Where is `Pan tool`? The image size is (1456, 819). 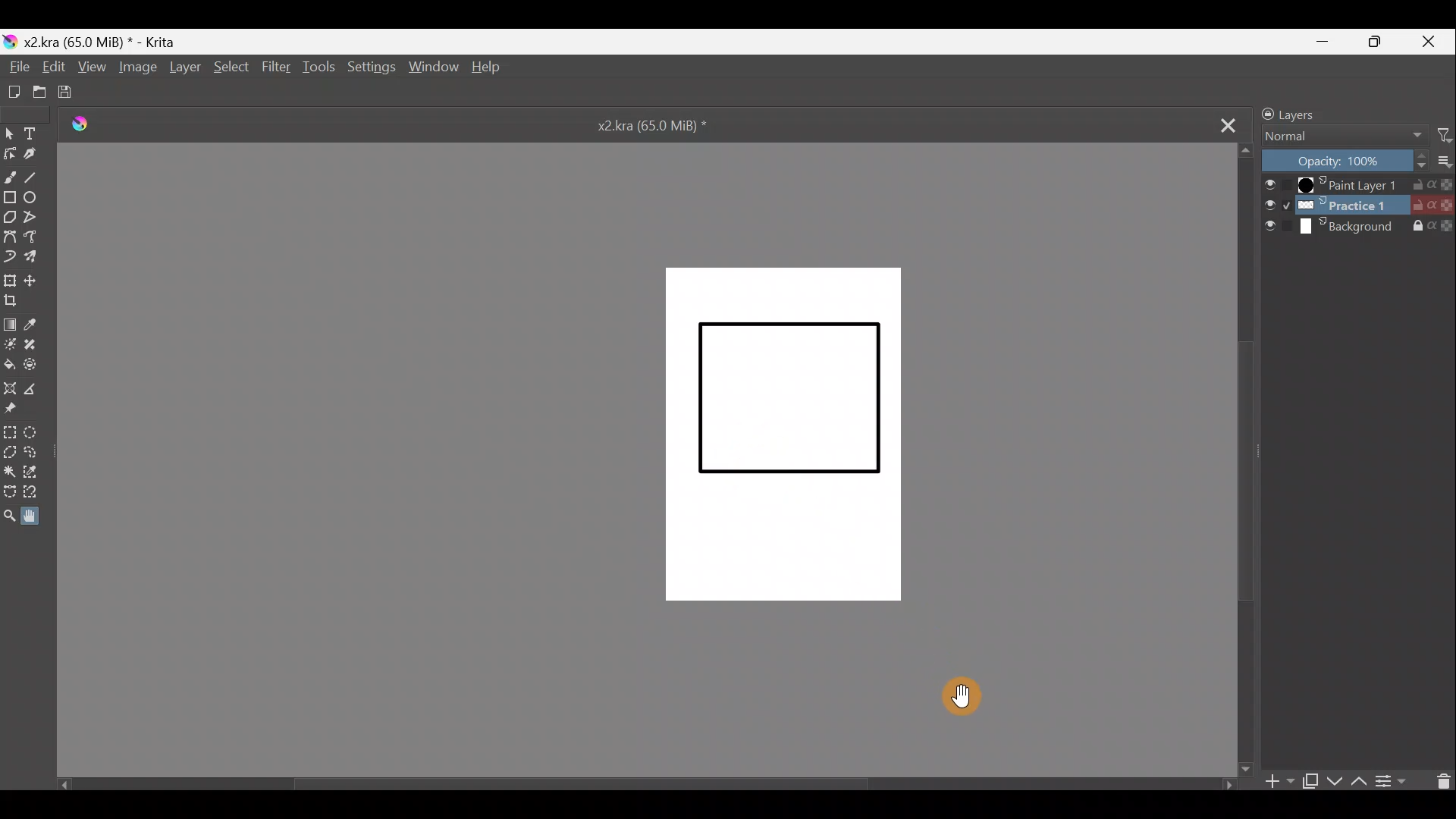 Pan tool is located at coordinates (959, 692).